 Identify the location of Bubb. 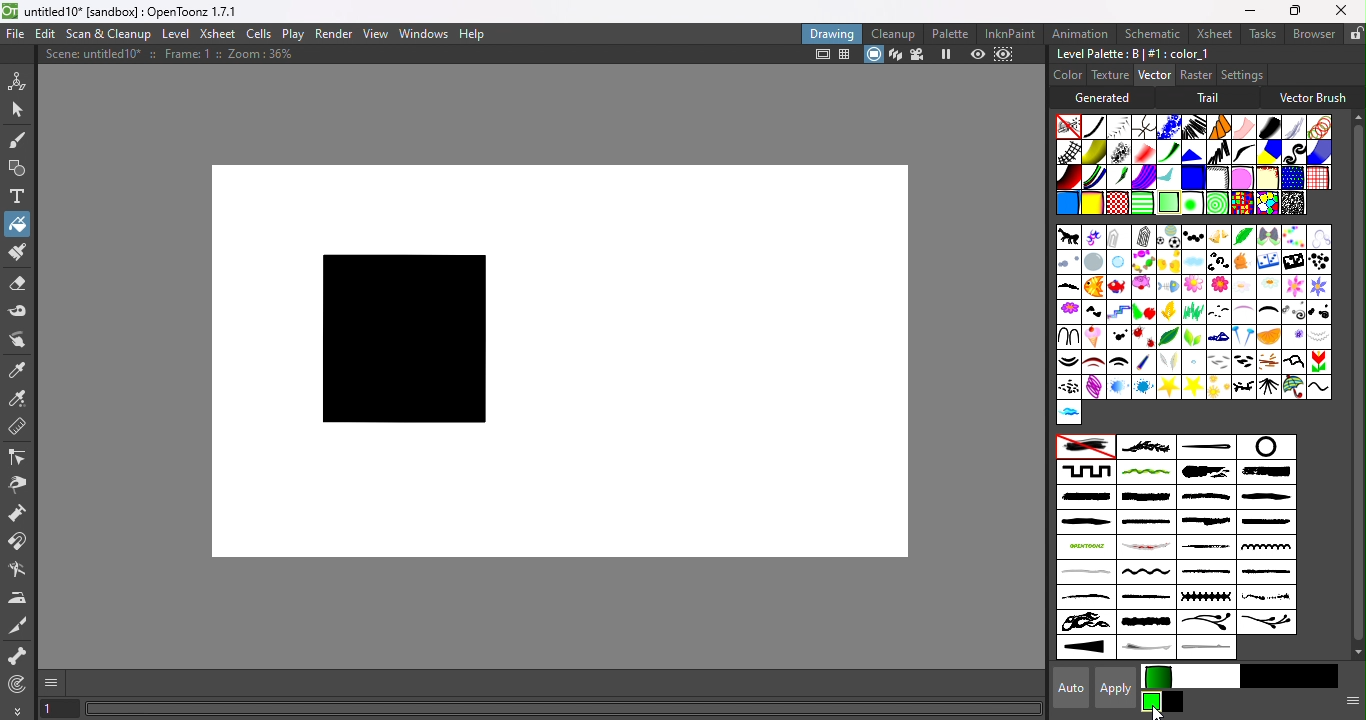
(1068, 264).